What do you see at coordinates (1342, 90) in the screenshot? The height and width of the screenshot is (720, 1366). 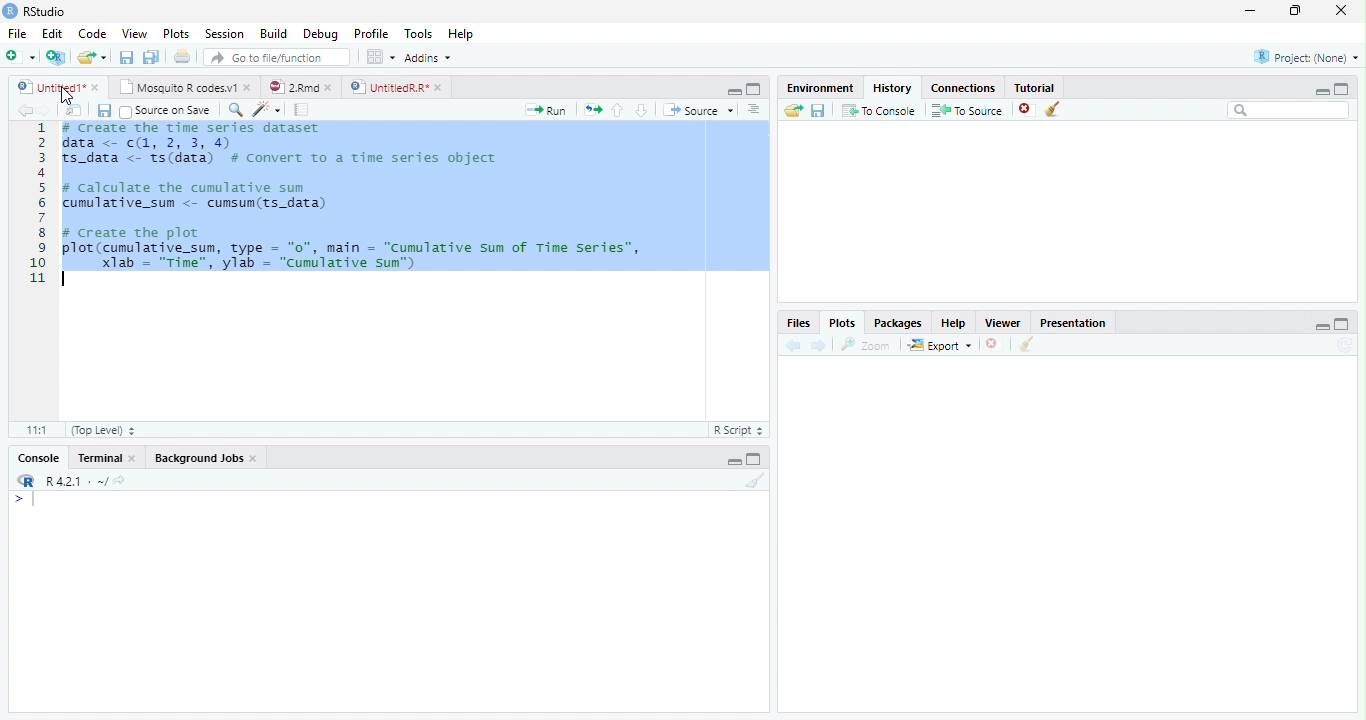 I see `Maximize` at bounding box center [1342, 90].